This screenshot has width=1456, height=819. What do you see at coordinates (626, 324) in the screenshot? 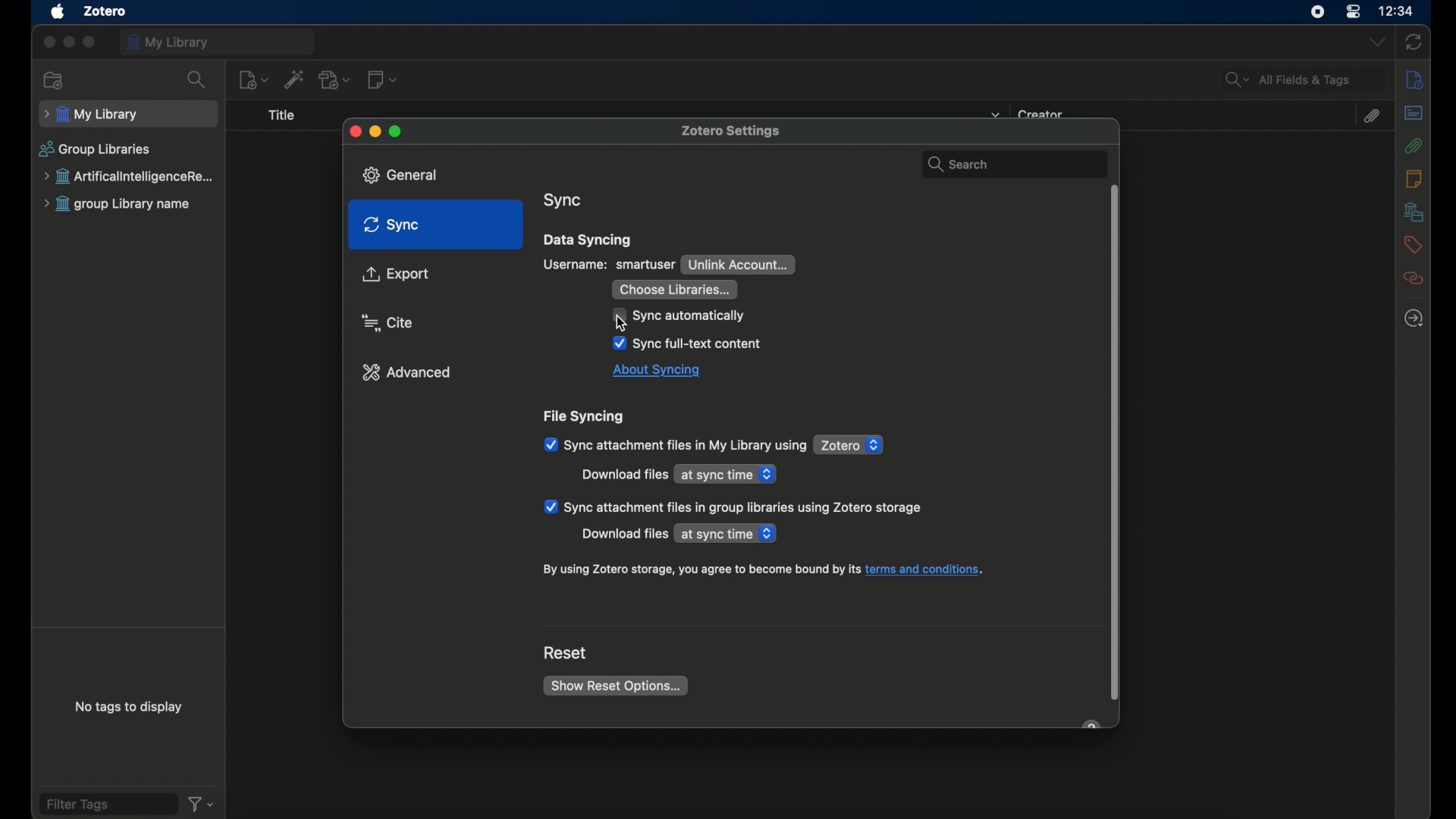
I see `cursor` at bounding box center [626, 324].